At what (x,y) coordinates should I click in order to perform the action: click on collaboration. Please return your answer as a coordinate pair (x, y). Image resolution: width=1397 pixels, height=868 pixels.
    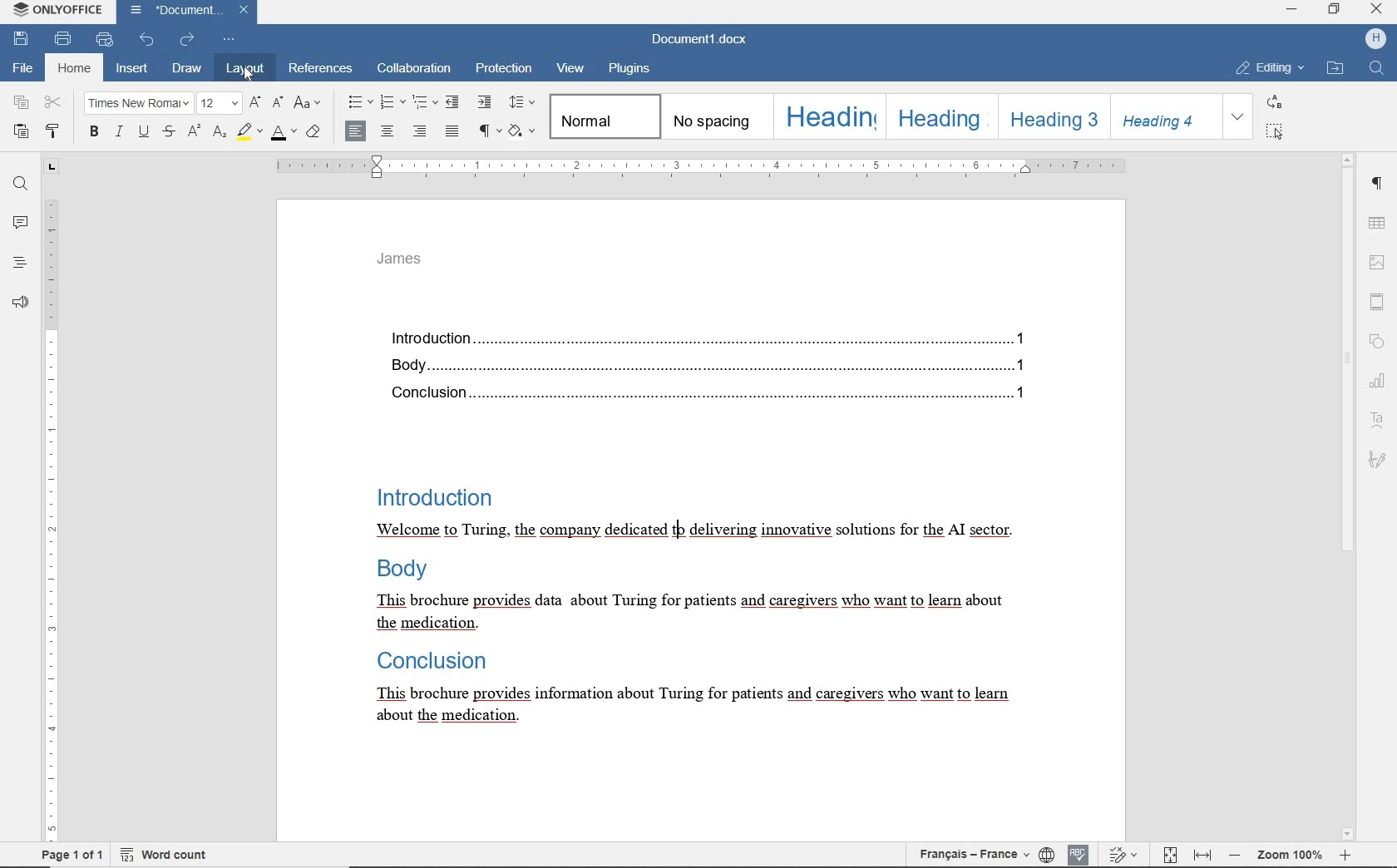
    Looking at the image, I should click on (415, 70).